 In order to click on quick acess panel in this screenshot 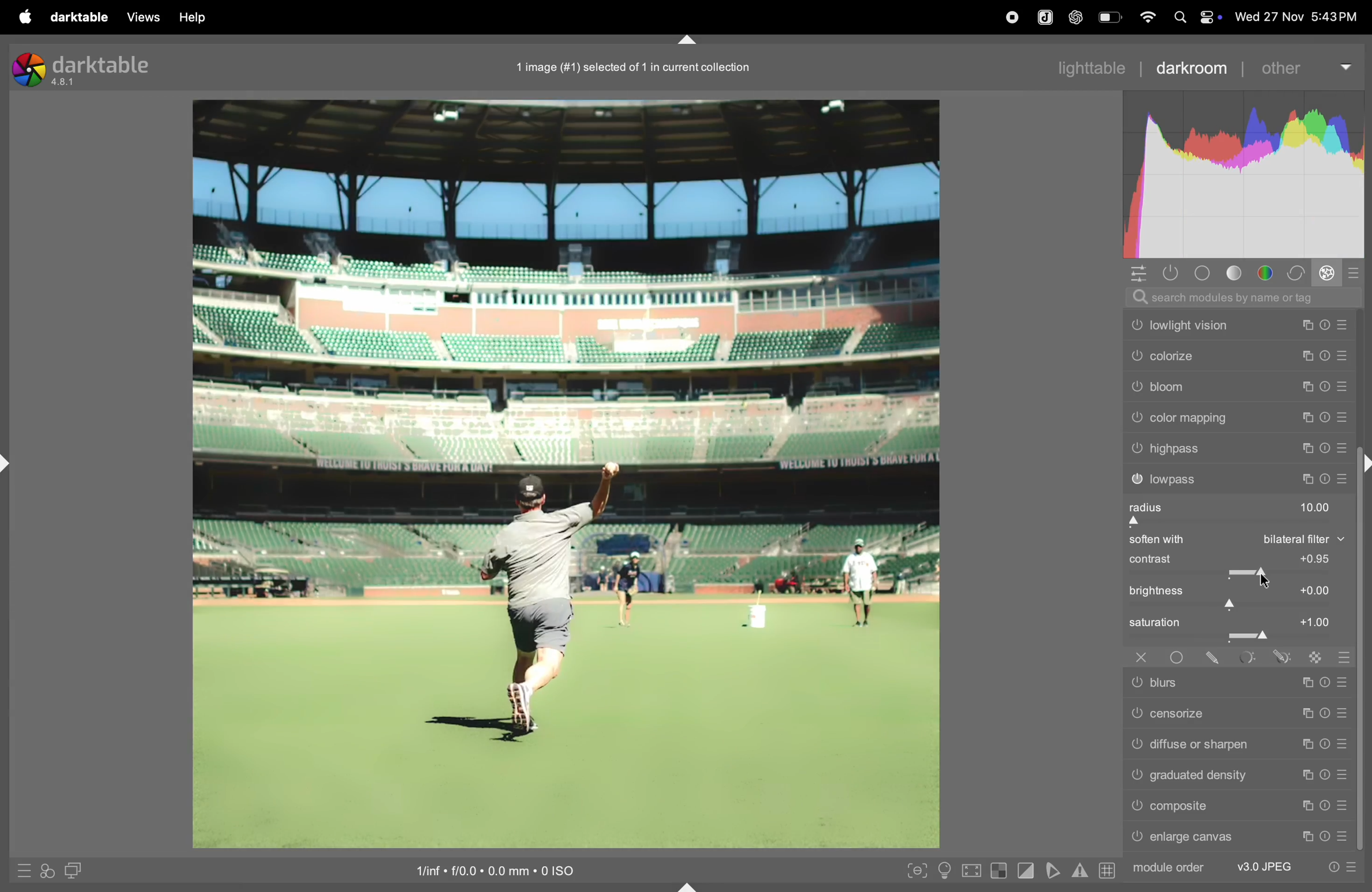, I will do `click(1134, 274)`.